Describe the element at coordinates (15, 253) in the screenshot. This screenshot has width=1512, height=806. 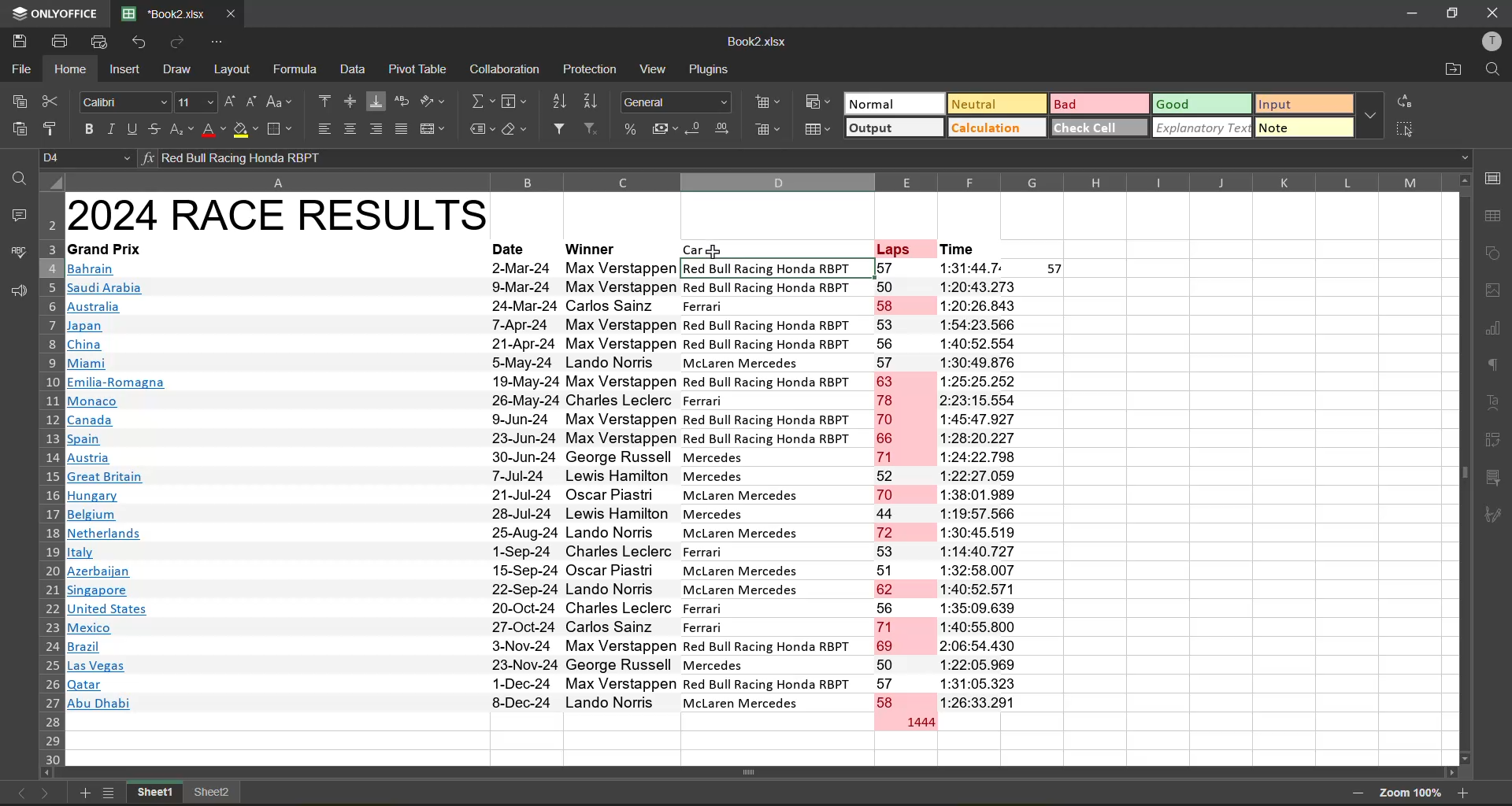
I see `spellcheck` at that location.